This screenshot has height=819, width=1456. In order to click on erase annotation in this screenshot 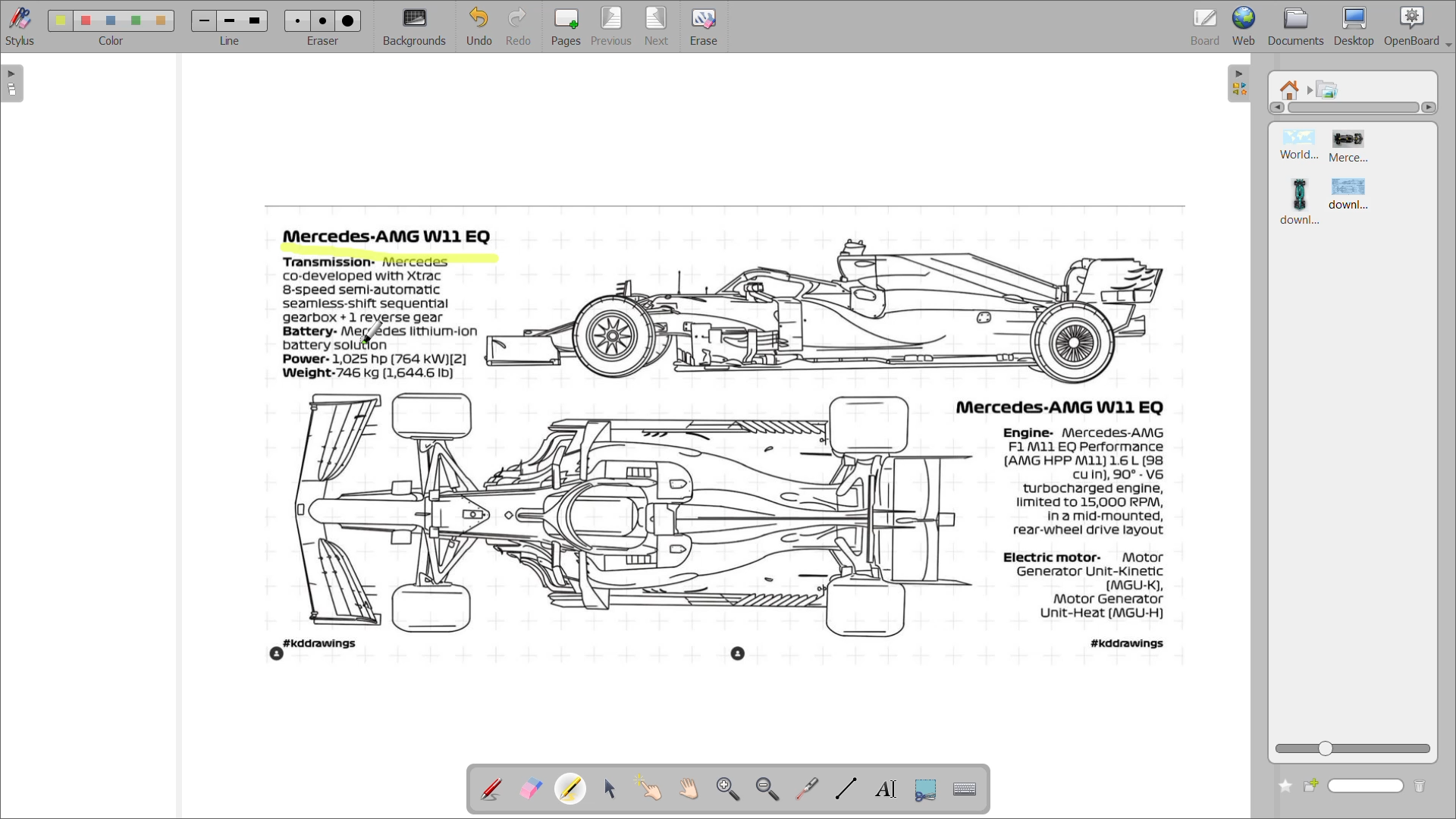, I will do `click(533, 789)`.